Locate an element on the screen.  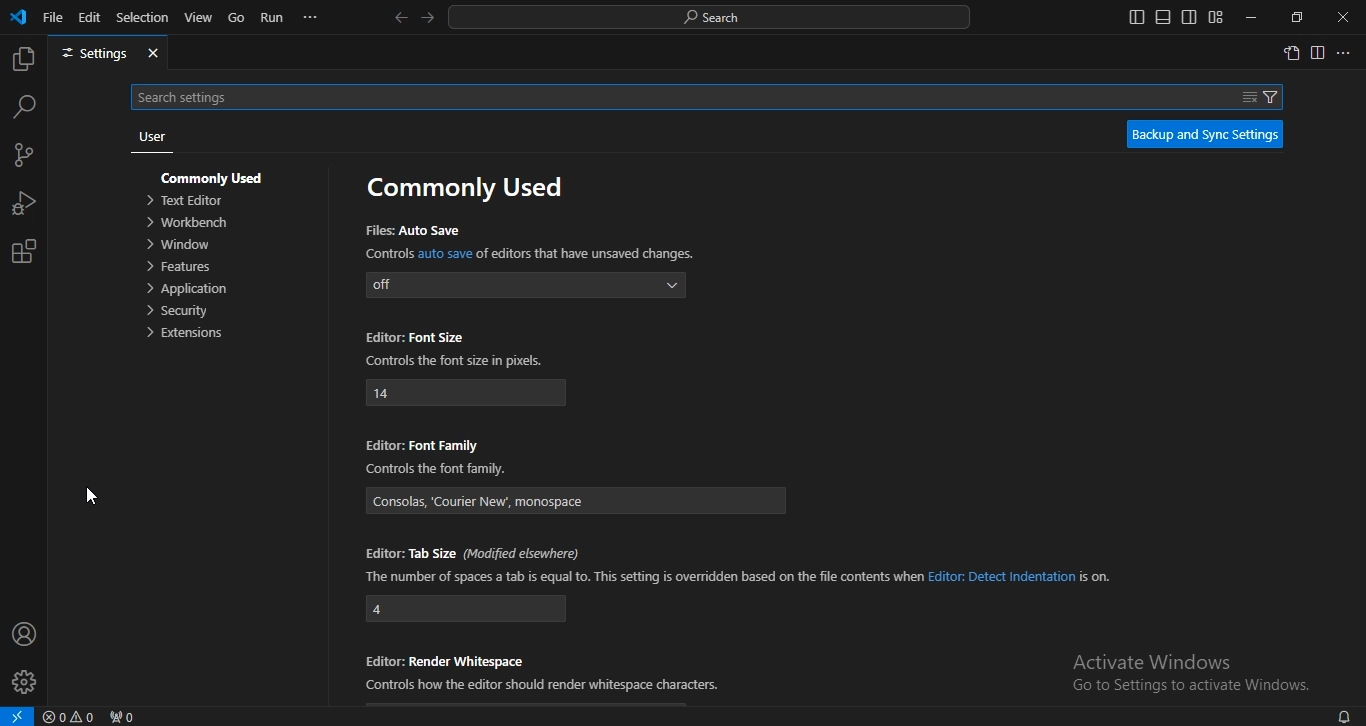
toggle primary sidebar is located at coordinates (1137, 17).